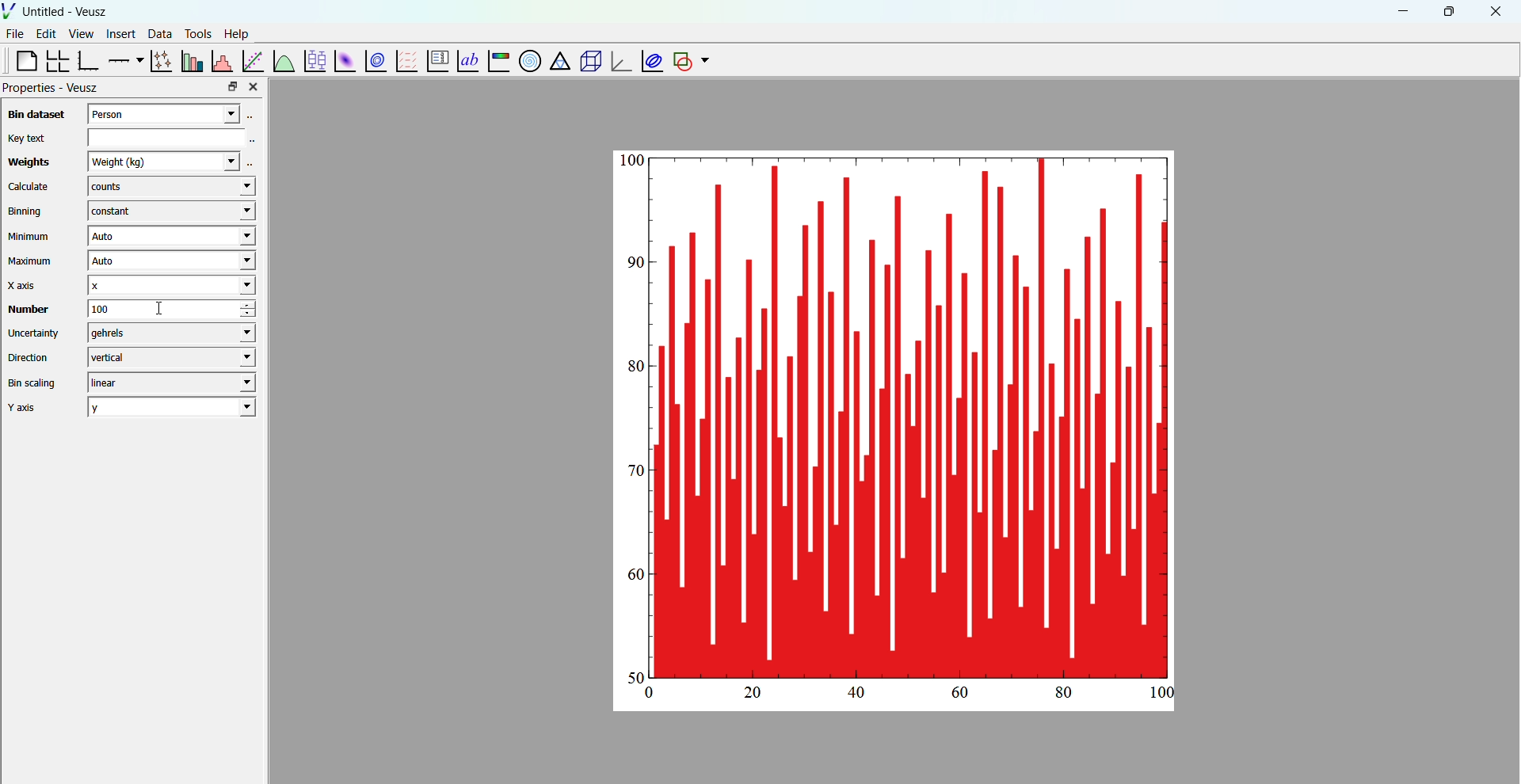 The height and width of the screenshot is (784, 1521). I want to click on Auto , so click(170, 237).